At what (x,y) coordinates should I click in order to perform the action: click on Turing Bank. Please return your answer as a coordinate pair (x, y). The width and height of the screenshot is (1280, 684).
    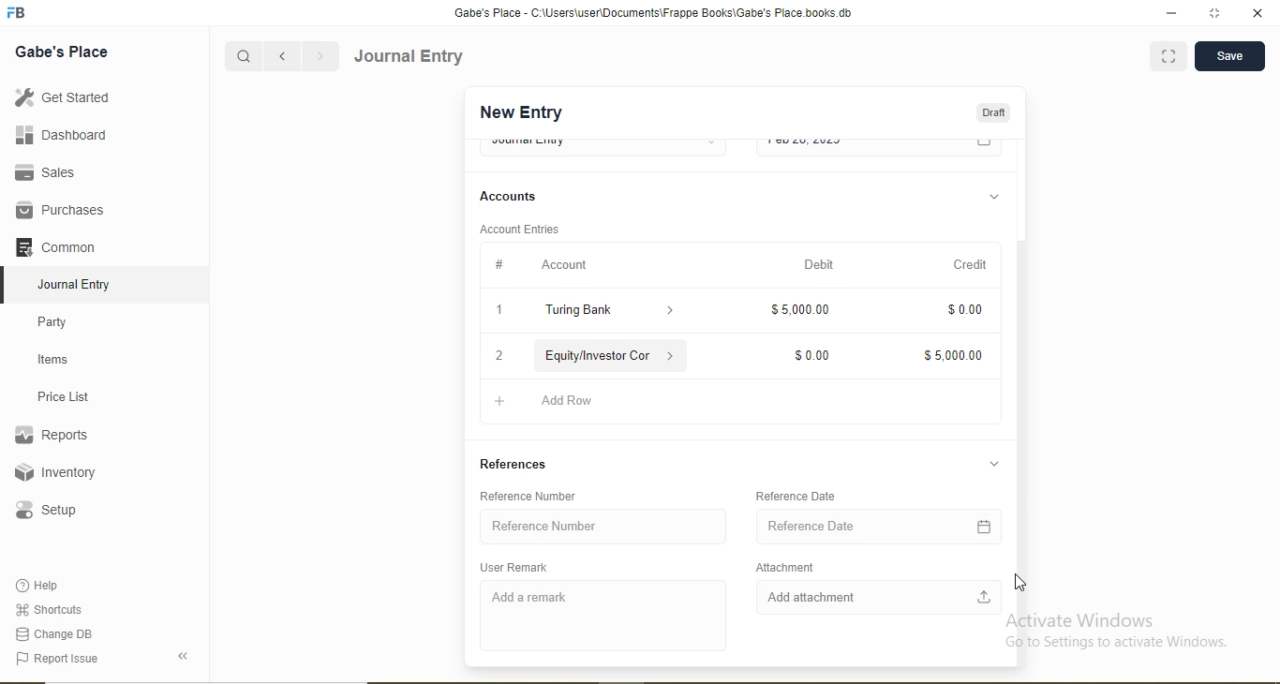
    Looking at the image, I should click on (579, 311).